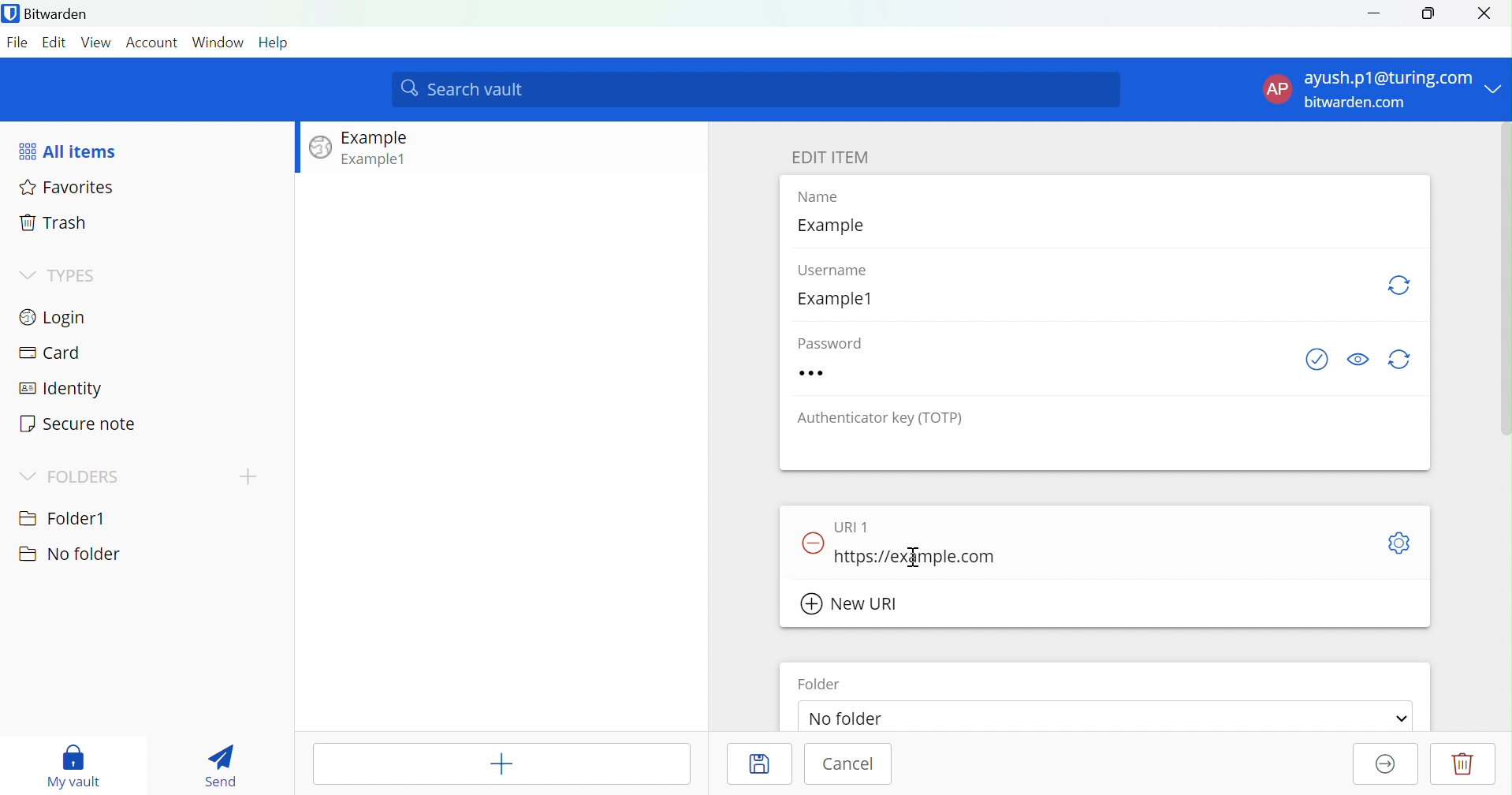 The image size is (1512, 795). Describe the element at coordinates (56, 316) in the screenshot. I see `Login` at that location.